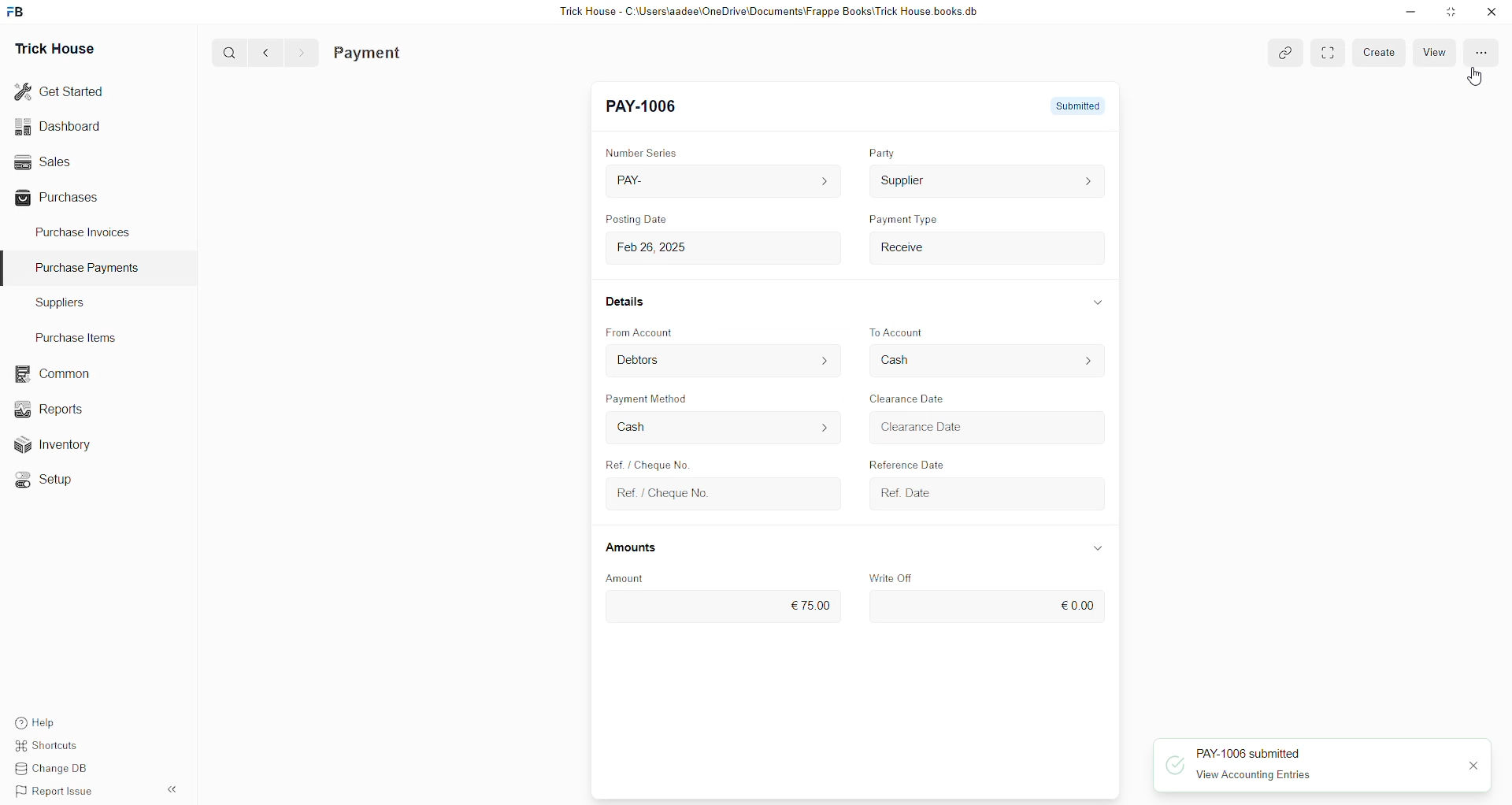 Image resolution: width=1512 pixels, height=805 pixels. Describe the element at coordinates (719, 247) in the screenshot. I see `Feb 26, 2025 ` at that location.